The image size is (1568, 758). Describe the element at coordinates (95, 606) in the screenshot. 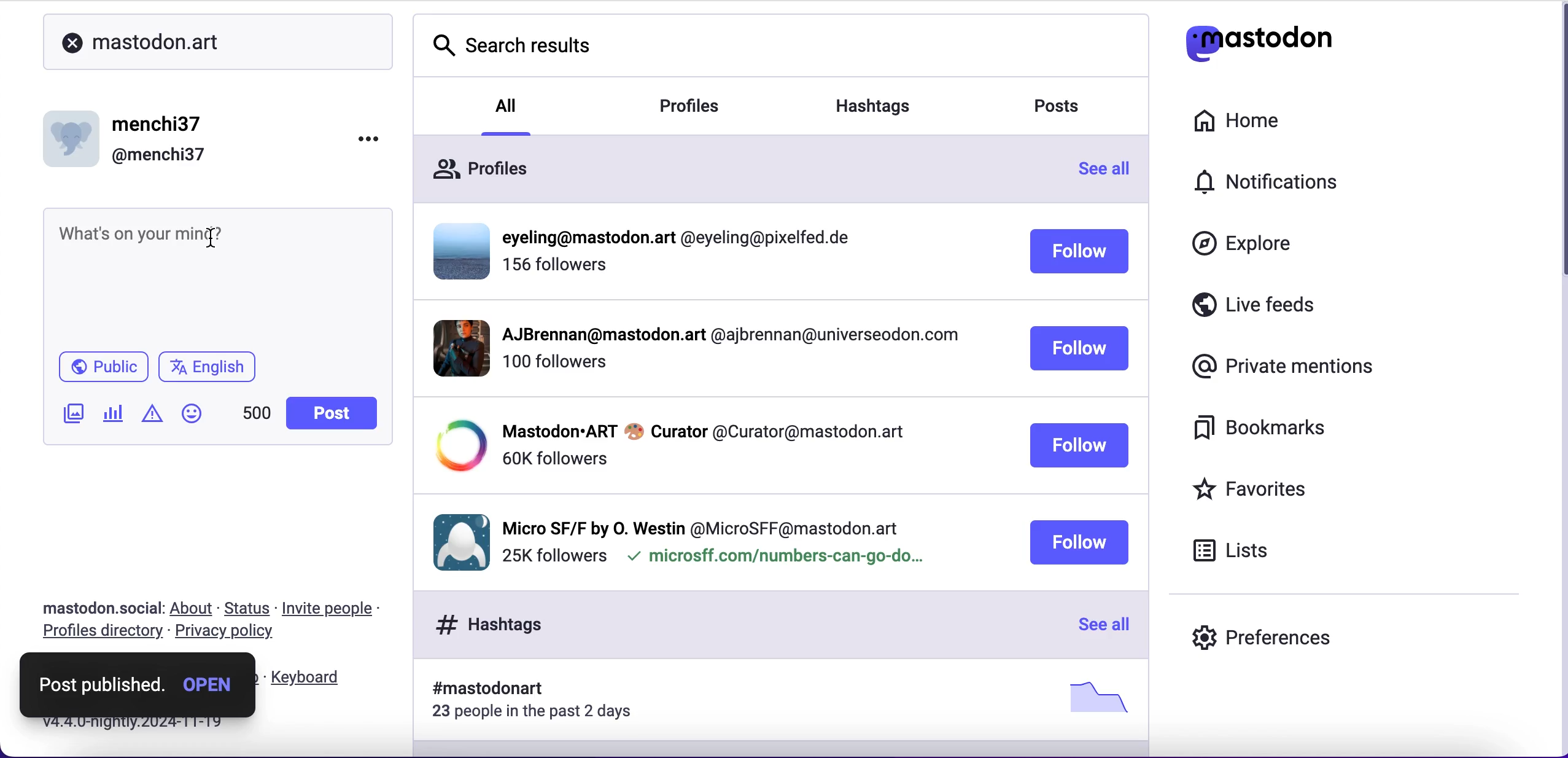

I see `mastodon.social` at that location.